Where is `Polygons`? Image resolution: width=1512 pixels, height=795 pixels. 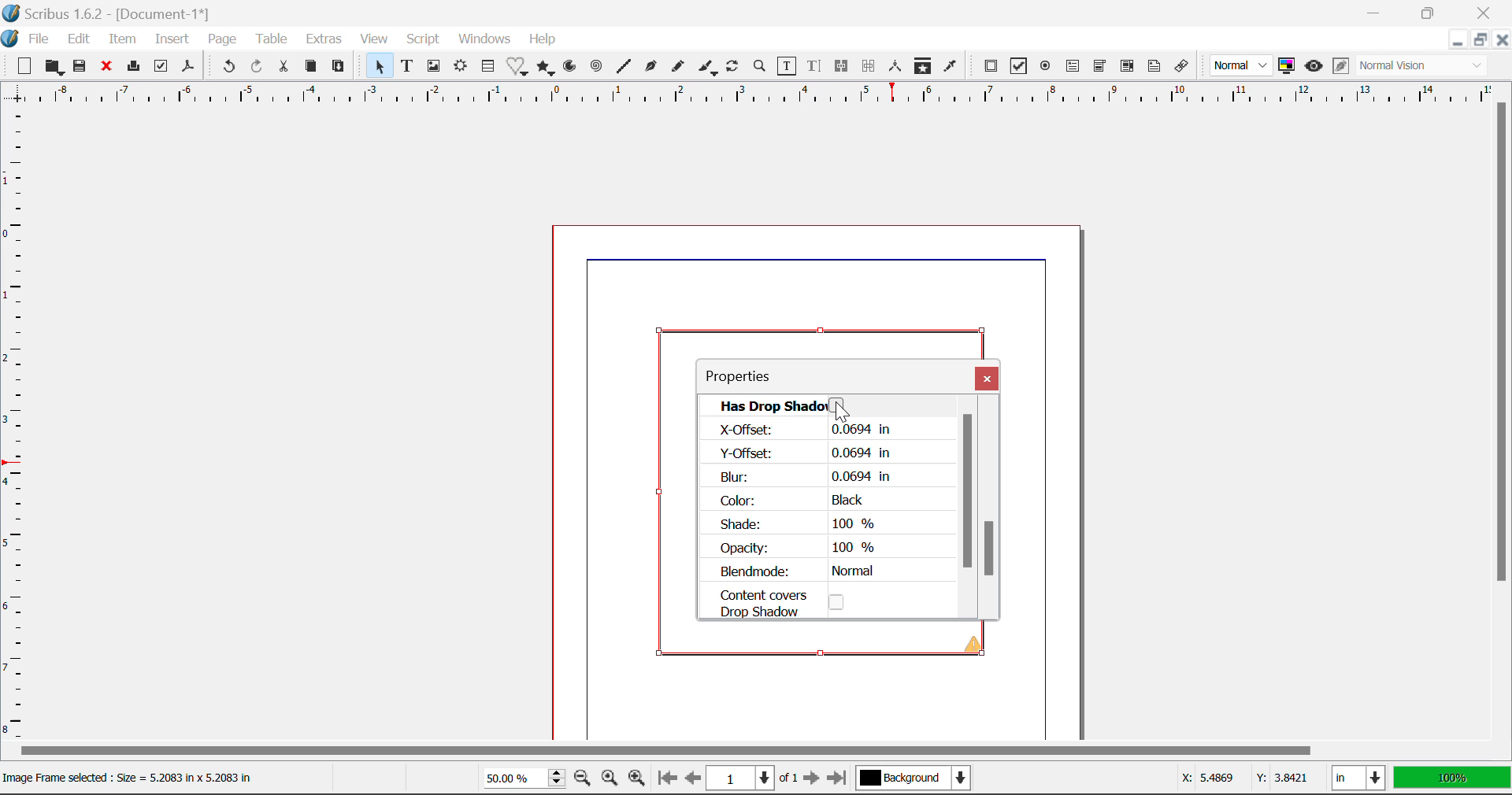
Polygons is located at coordinates (547, 68).